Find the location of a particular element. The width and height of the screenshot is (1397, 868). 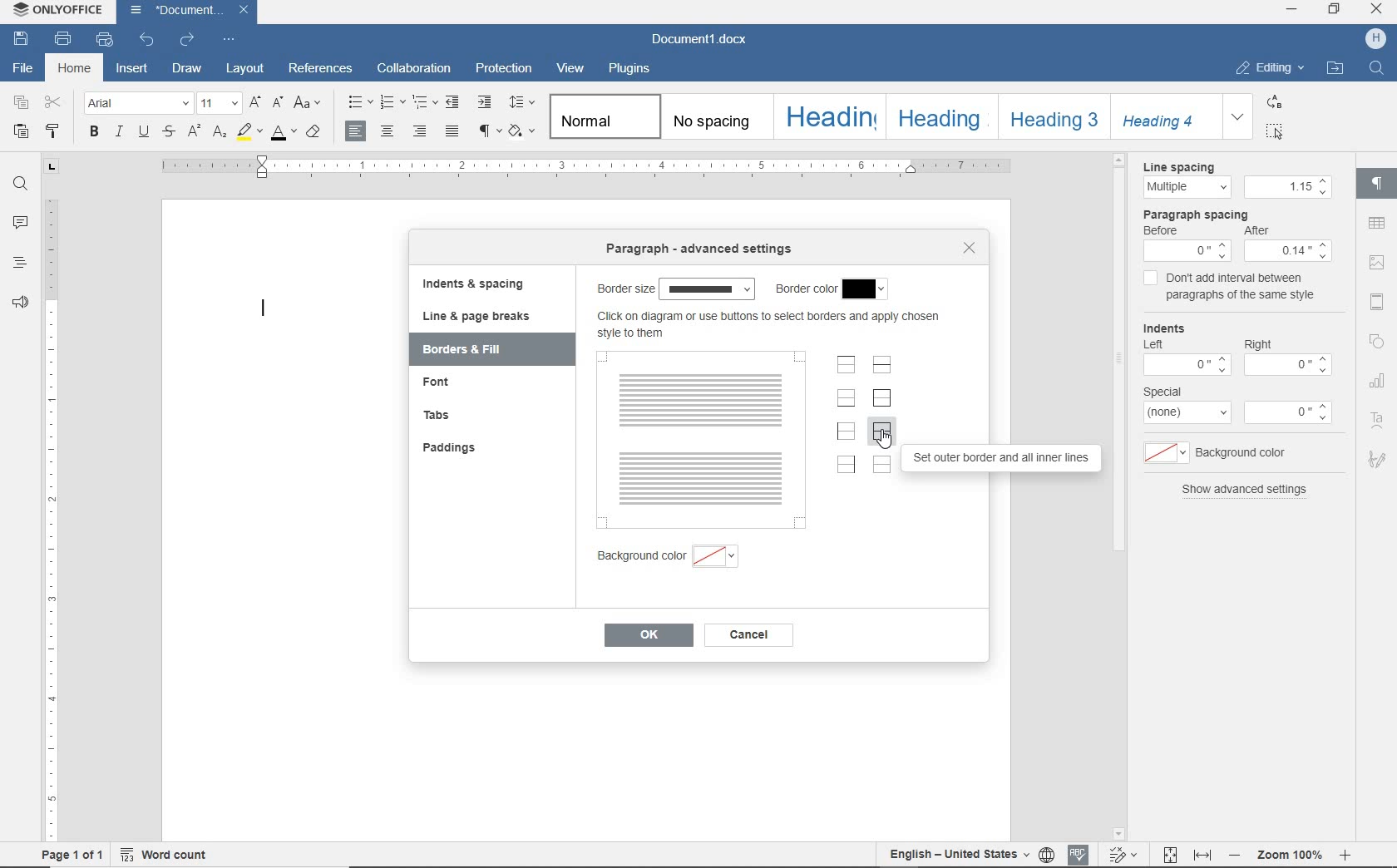

undo is located at coordinates (148, 42).